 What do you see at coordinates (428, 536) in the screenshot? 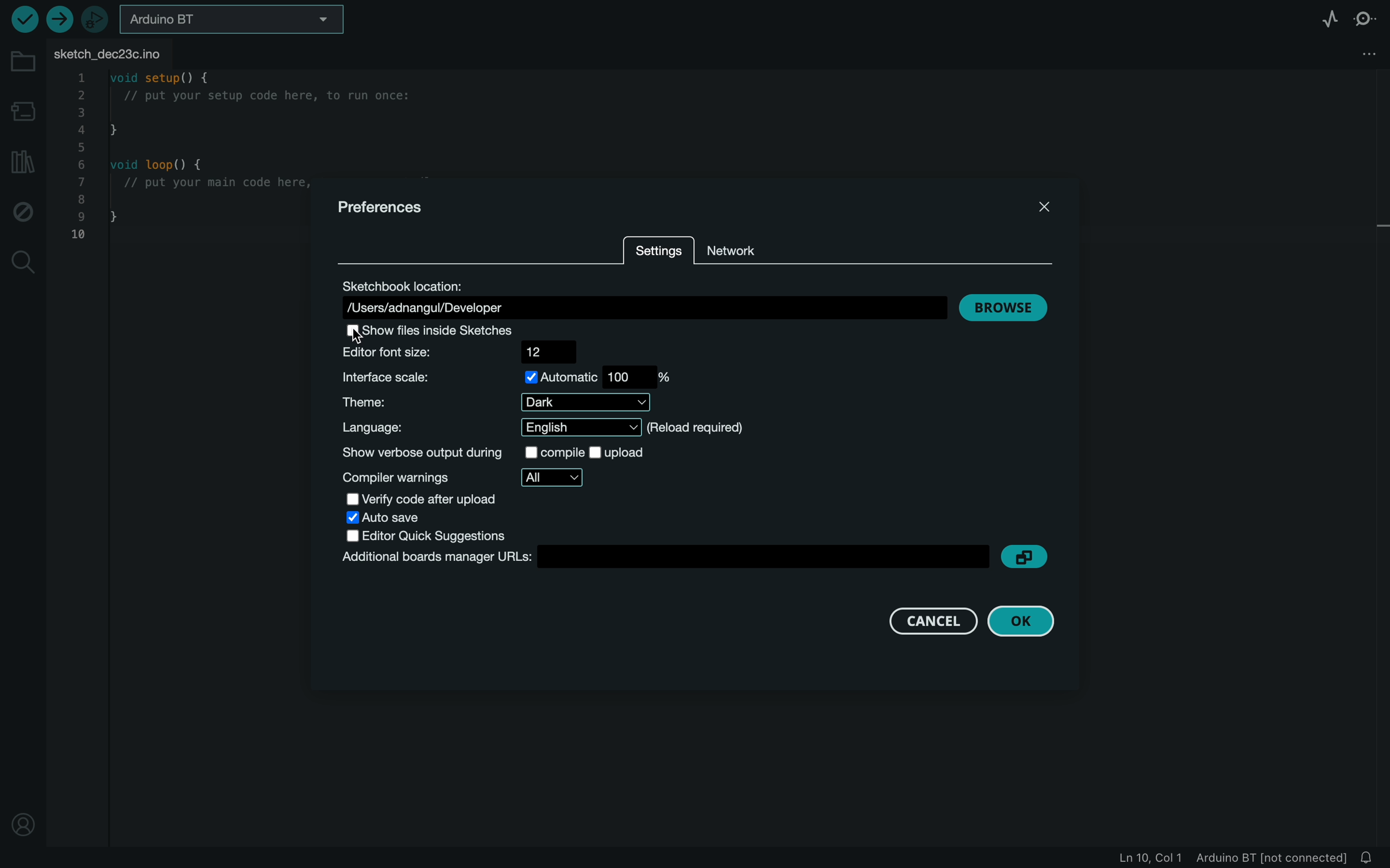
I see `editor` at bounding box center [428, 536].